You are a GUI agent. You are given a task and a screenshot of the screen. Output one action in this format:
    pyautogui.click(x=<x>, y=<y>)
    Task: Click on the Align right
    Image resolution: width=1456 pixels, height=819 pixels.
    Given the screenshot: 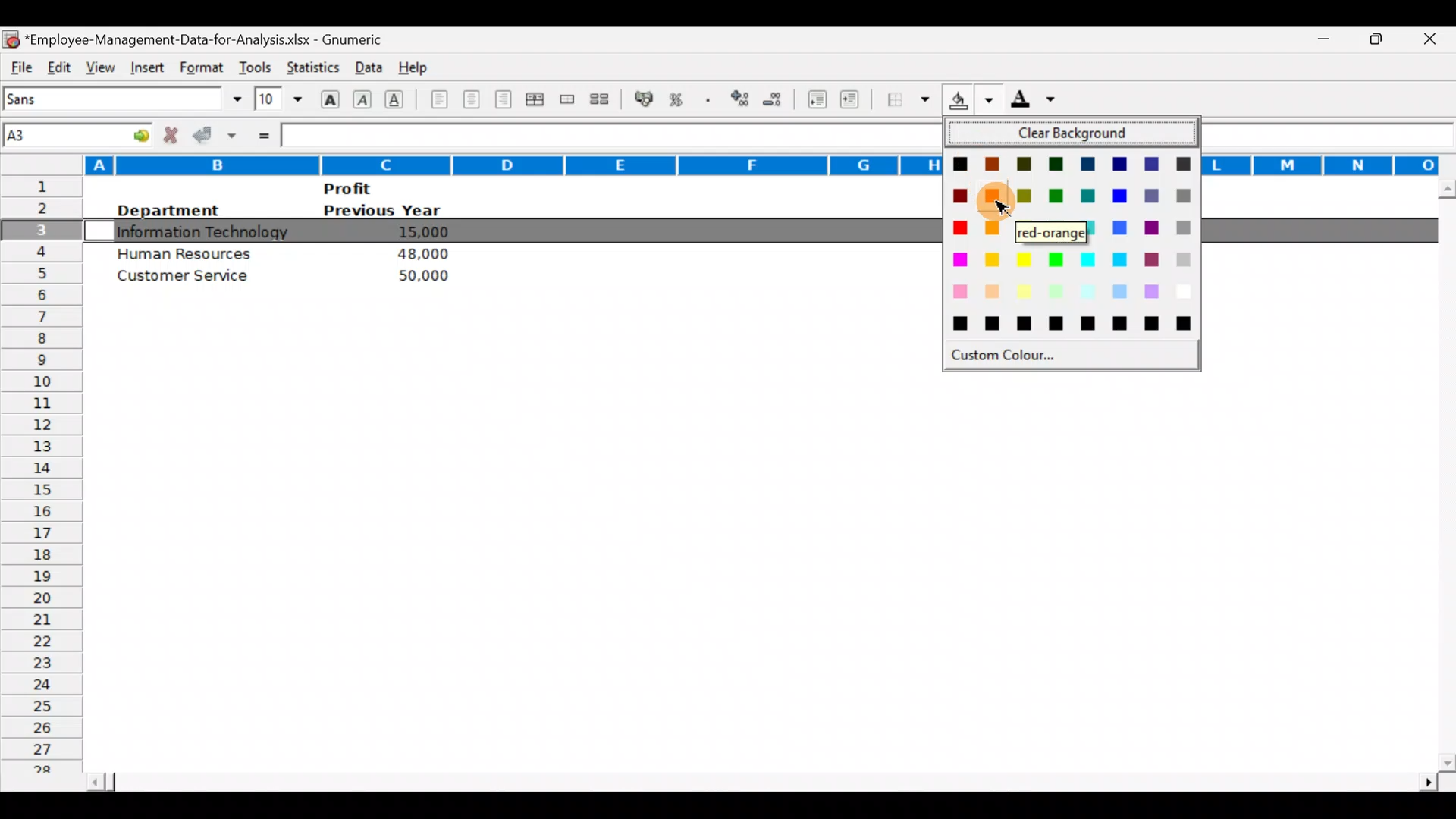 What is the action you would take?
    pyautogui.click(x=506, y=99)
    